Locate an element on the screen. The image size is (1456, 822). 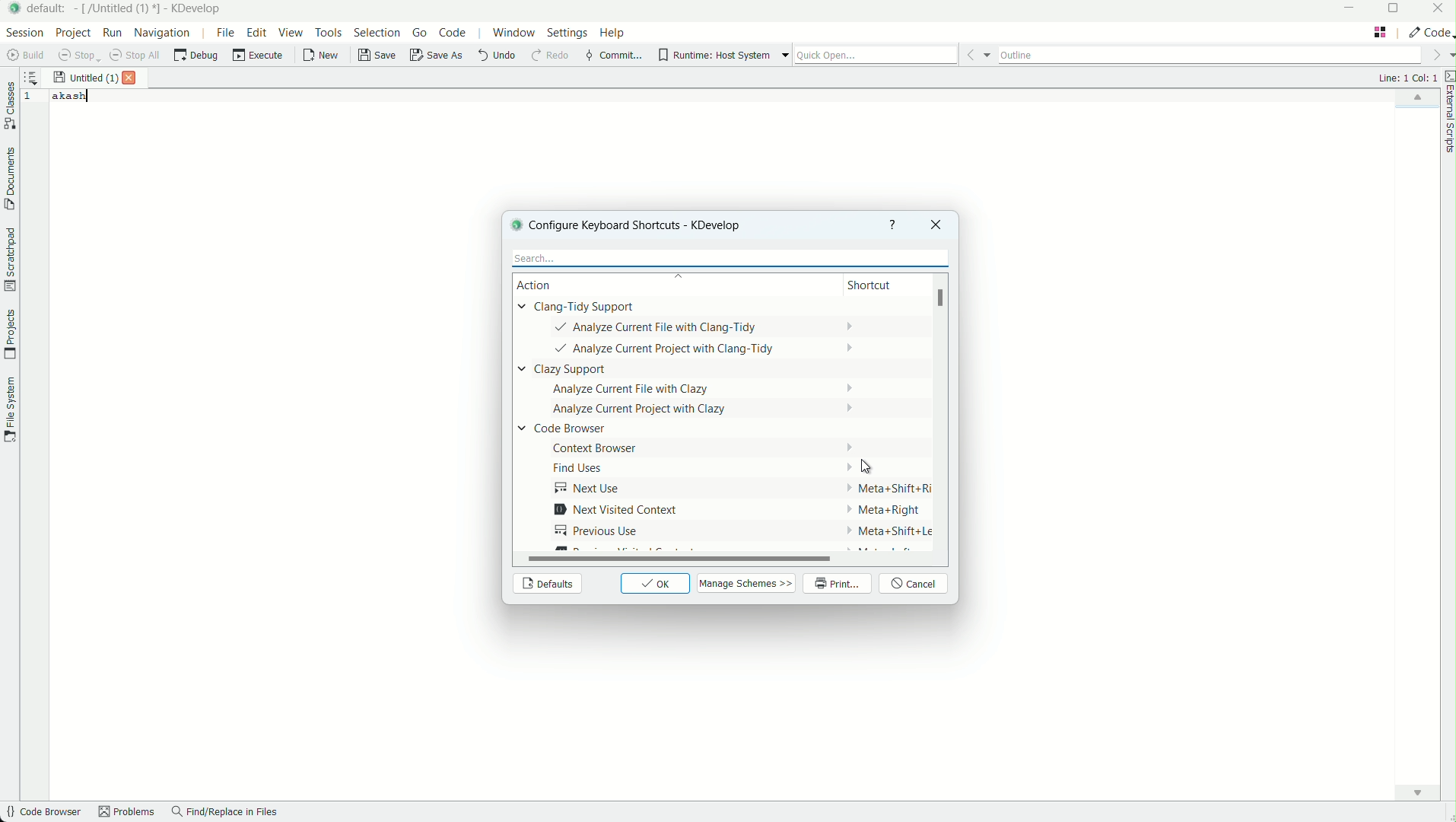
commit is located at coordinates (613, 56).